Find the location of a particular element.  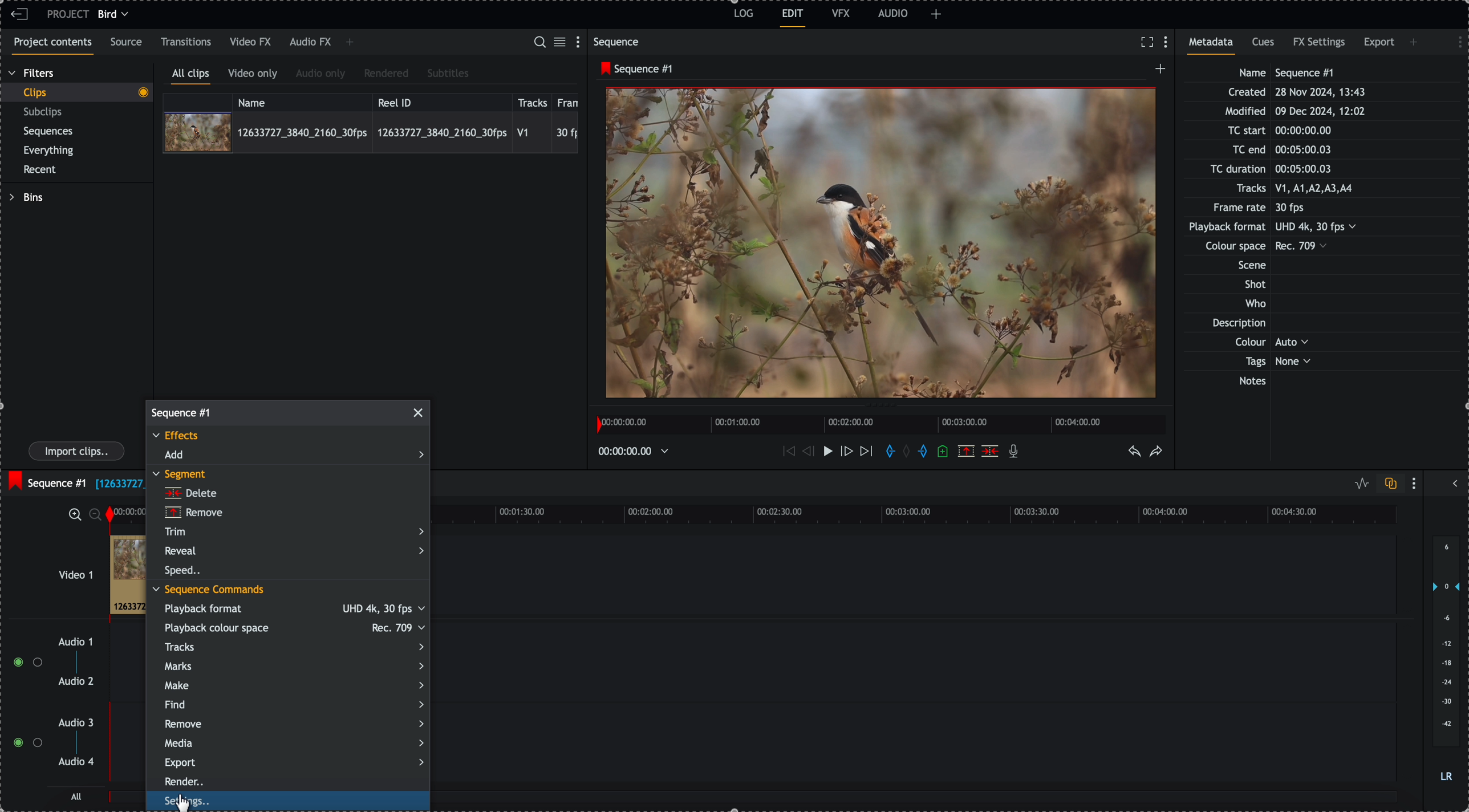

cursor is located at coordinates (194, 803).